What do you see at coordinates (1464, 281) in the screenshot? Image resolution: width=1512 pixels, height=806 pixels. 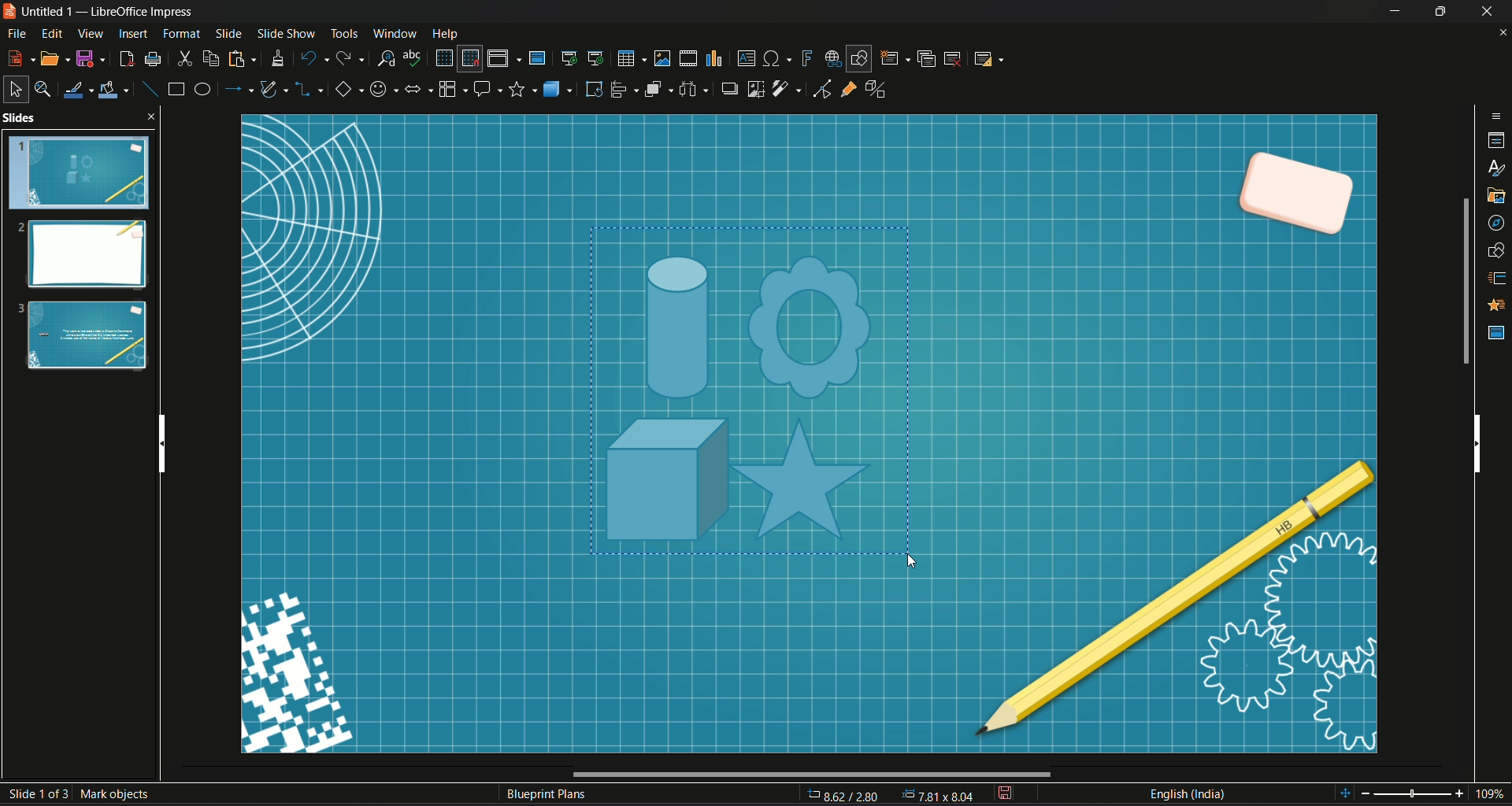 I see `Scroll bar` at bounding box center [1464, 281].